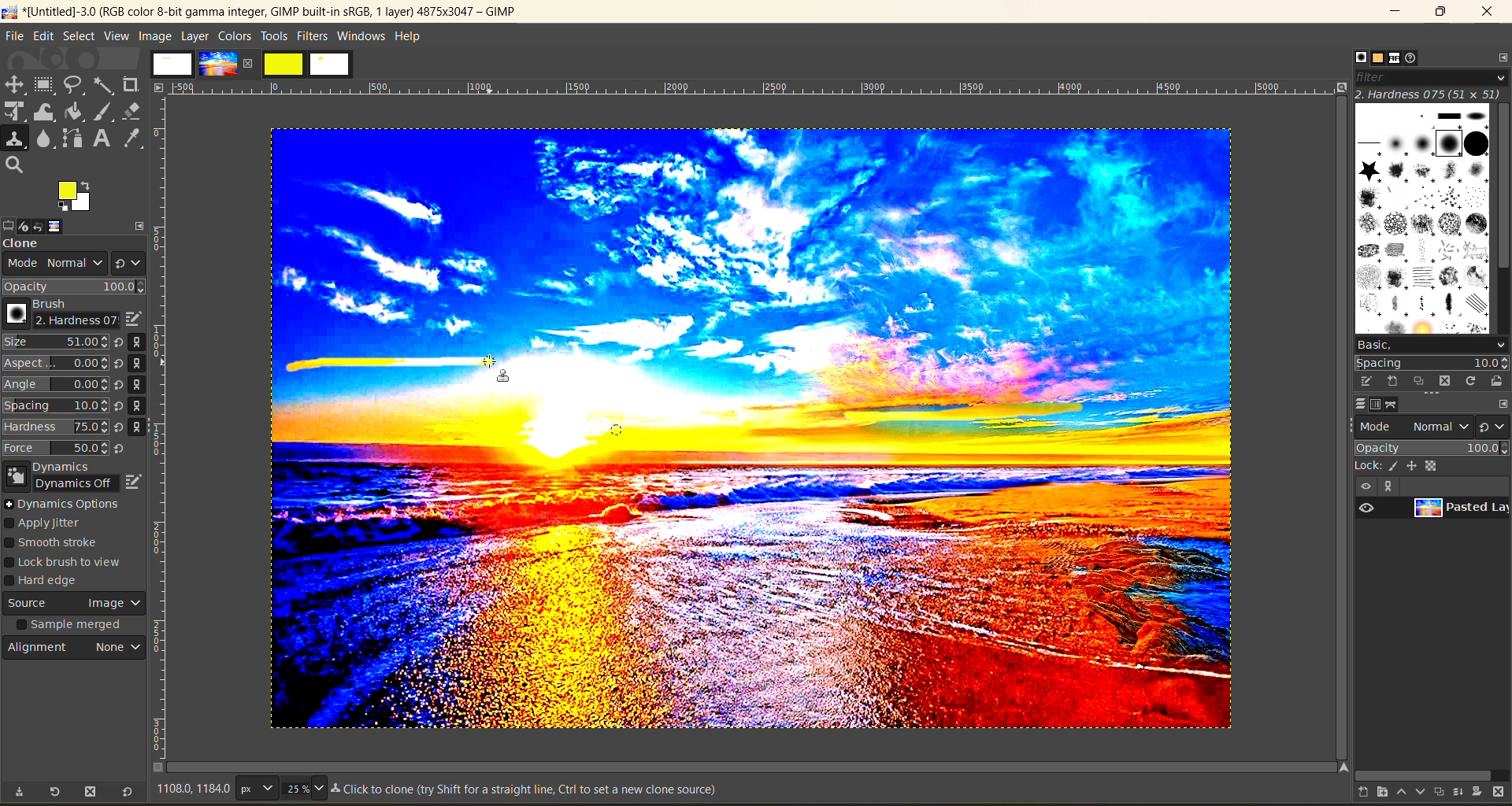 This screenshot has height=806, width=1512. What do you see at coordinates (46, 85) in the screenshot?
I see `rectangle select tool` at bounding box center [46, 85].